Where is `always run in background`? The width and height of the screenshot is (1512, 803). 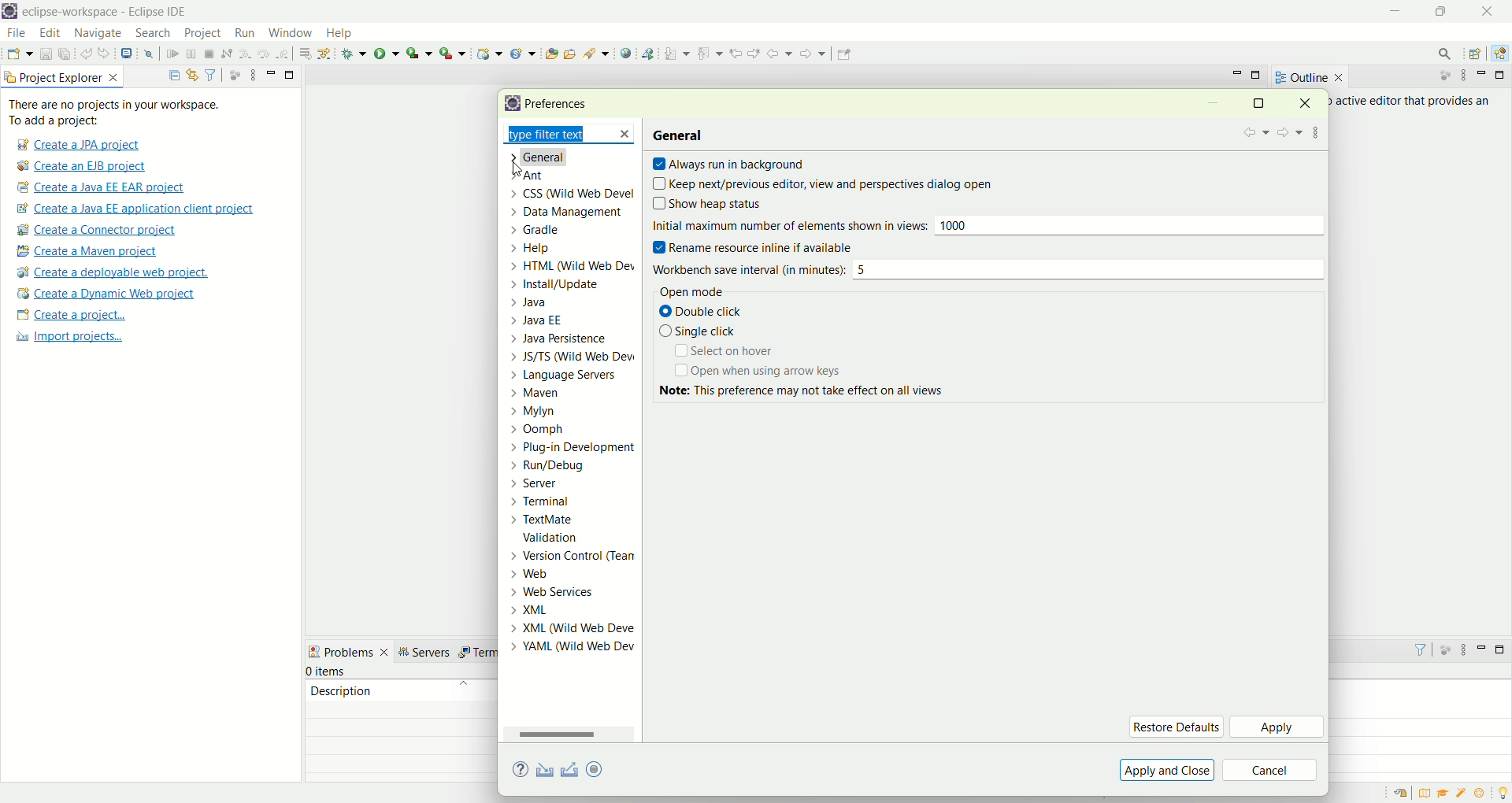
always run in background is located at coordinates (728, 165).